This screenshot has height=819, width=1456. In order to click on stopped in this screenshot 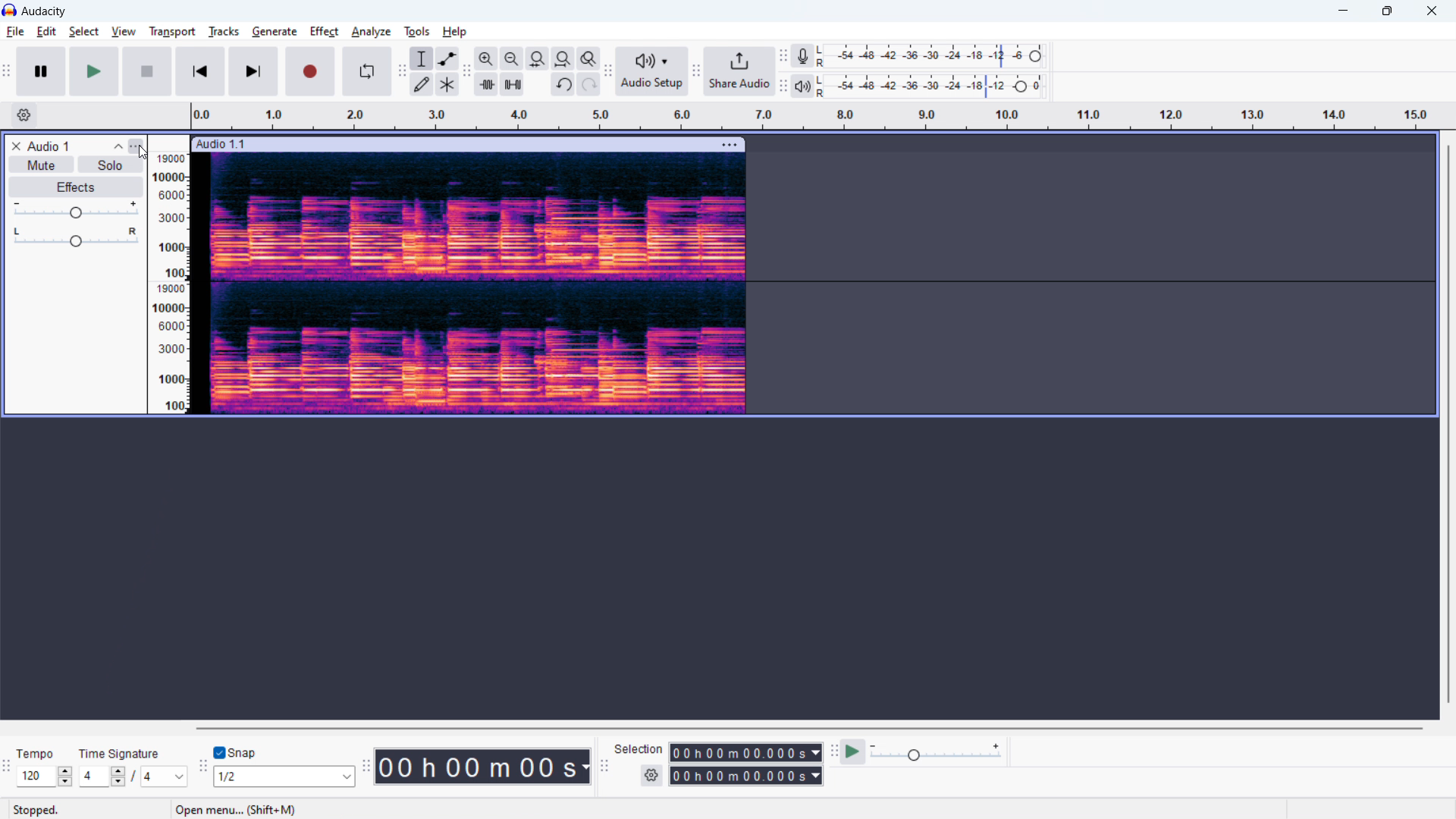, I will do `click(37, 811)`.